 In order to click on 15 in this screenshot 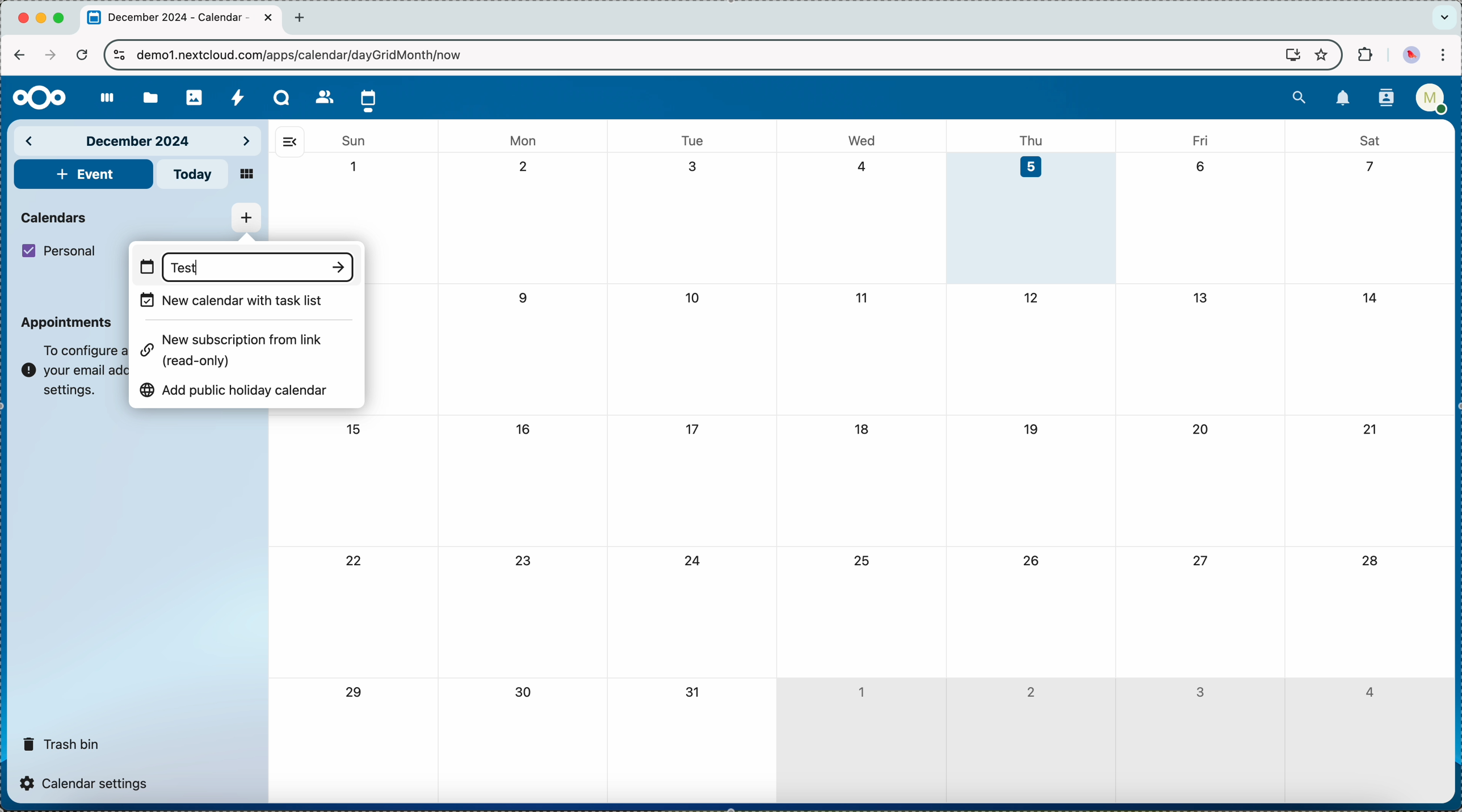, I will do `click(352, 429)`.